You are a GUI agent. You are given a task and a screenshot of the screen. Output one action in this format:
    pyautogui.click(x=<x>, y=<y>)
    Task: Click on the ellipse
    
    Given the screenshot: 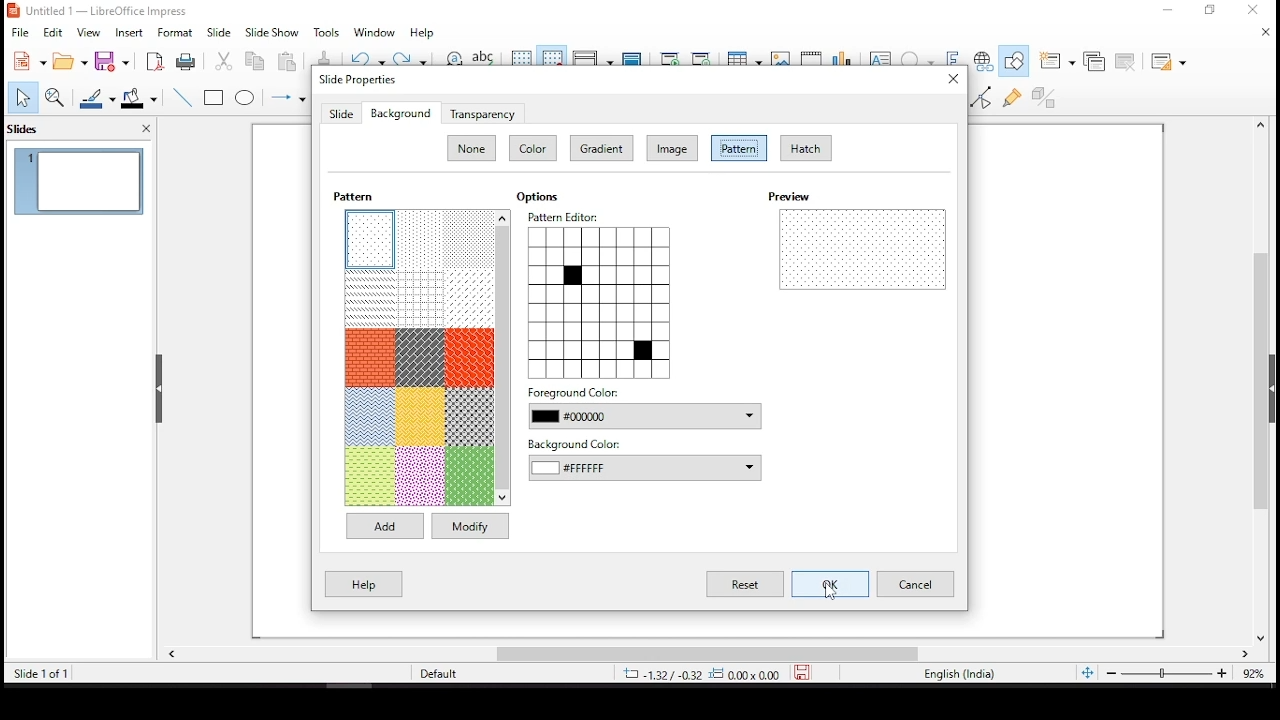 What is the action you would take?
    pyautogui.click(x=247, y=98)
    